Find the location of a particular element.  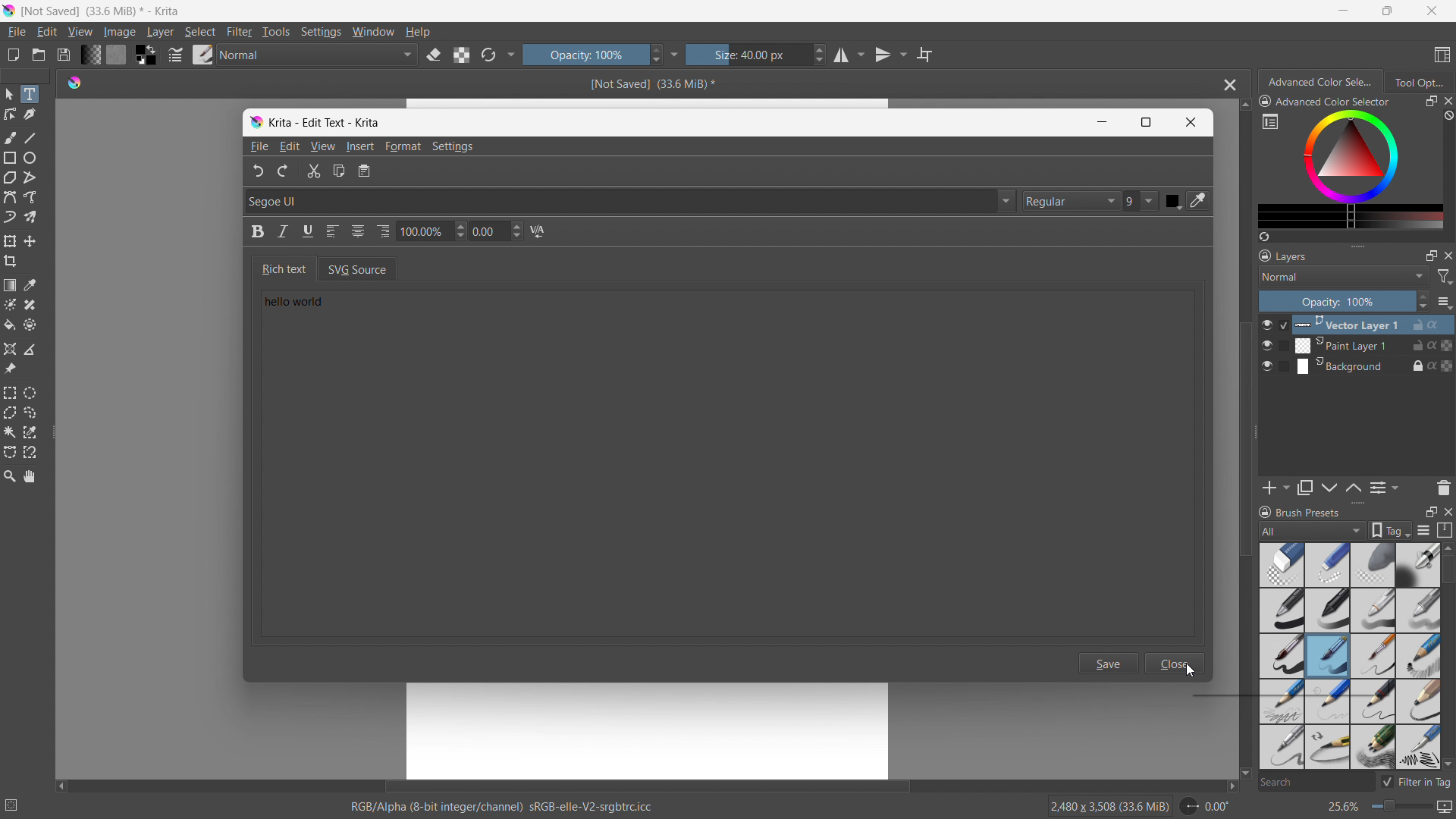

edit brush settings is located at coordinates (175, 55).